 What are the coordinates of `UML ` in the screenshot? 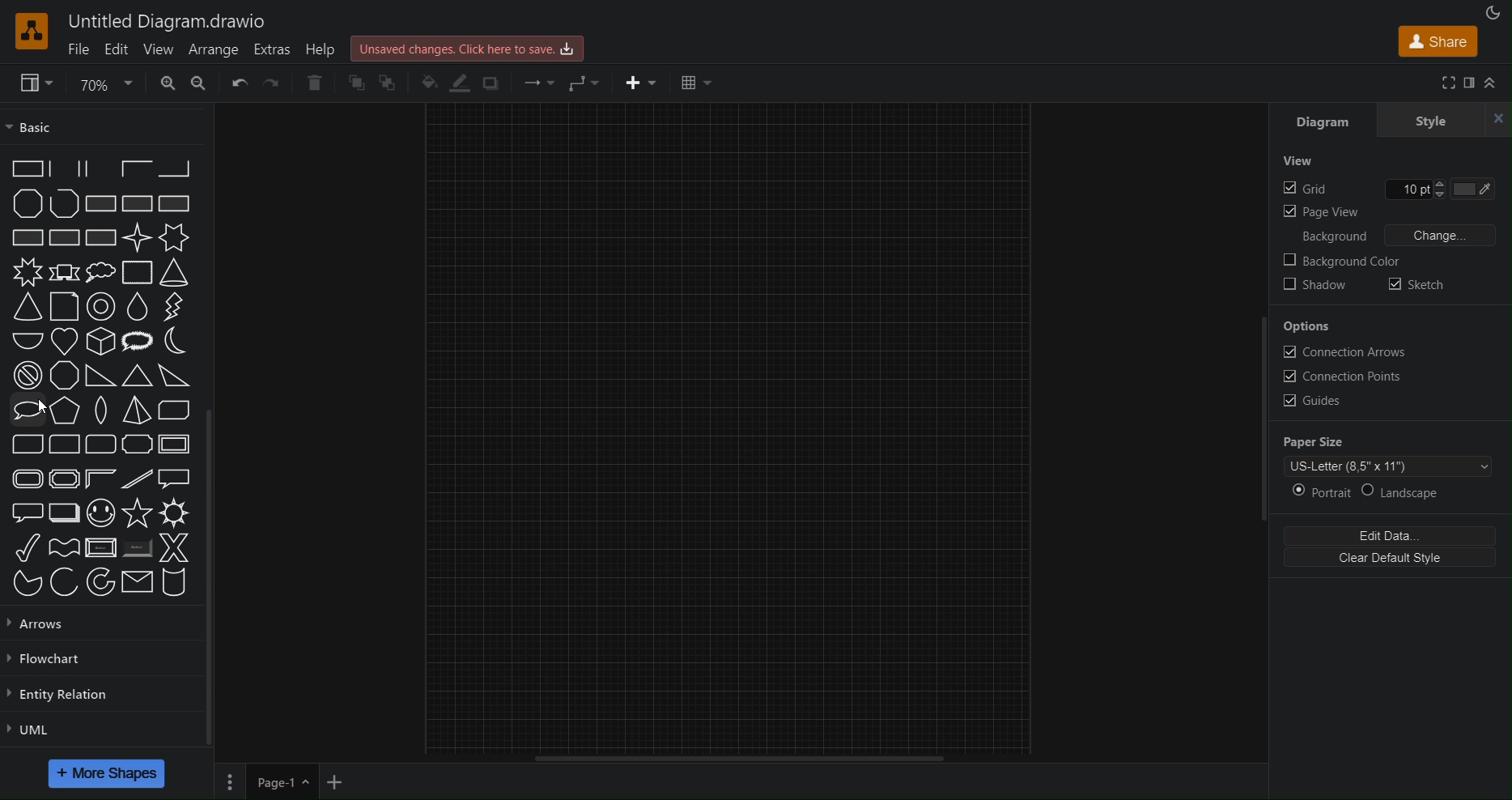 It's located at (37, 733).